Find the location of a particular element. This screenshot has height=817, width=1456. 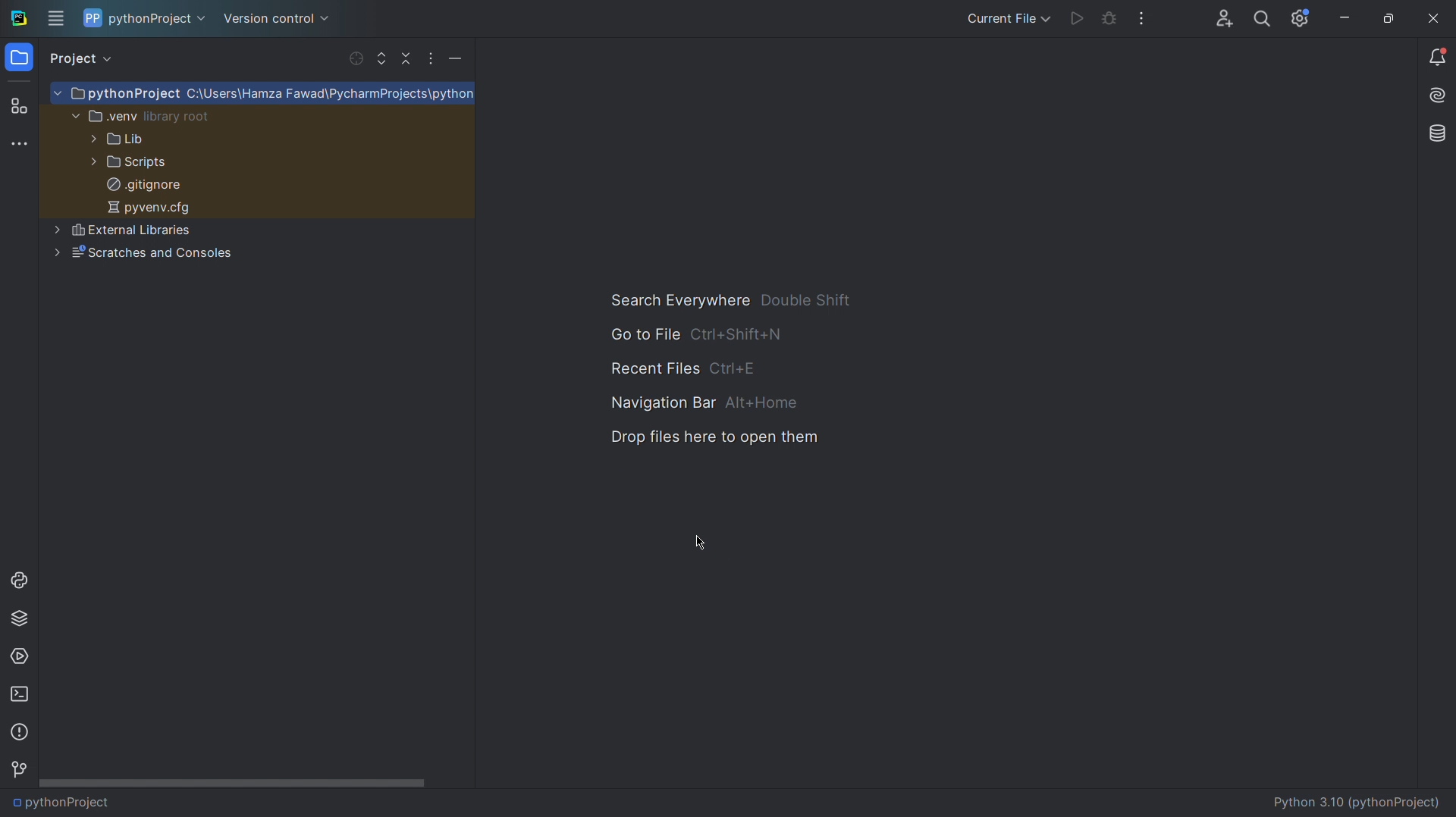

version control is located at coordinates (275, 17).